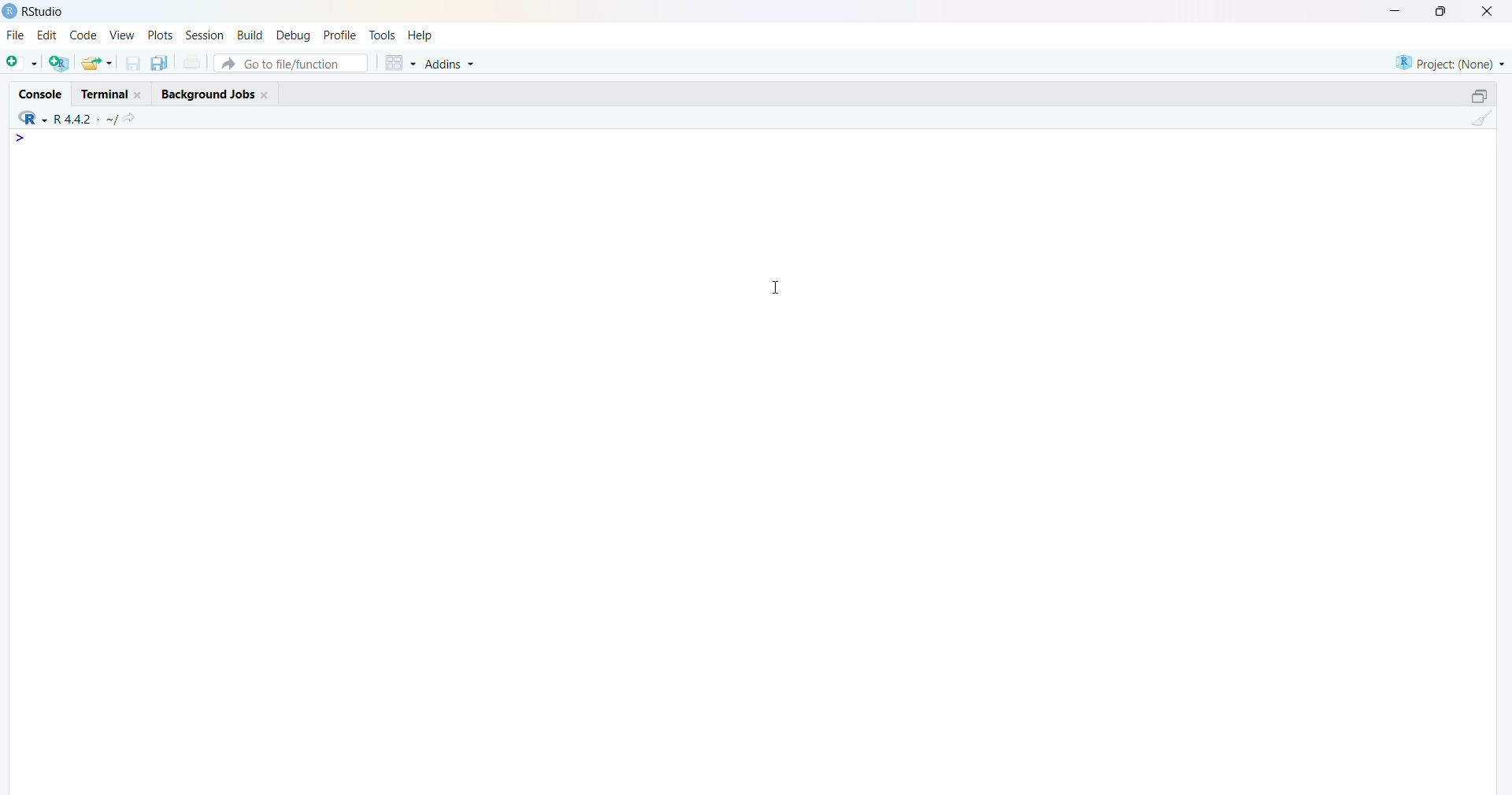  I want to click on print, so click(193, 62).